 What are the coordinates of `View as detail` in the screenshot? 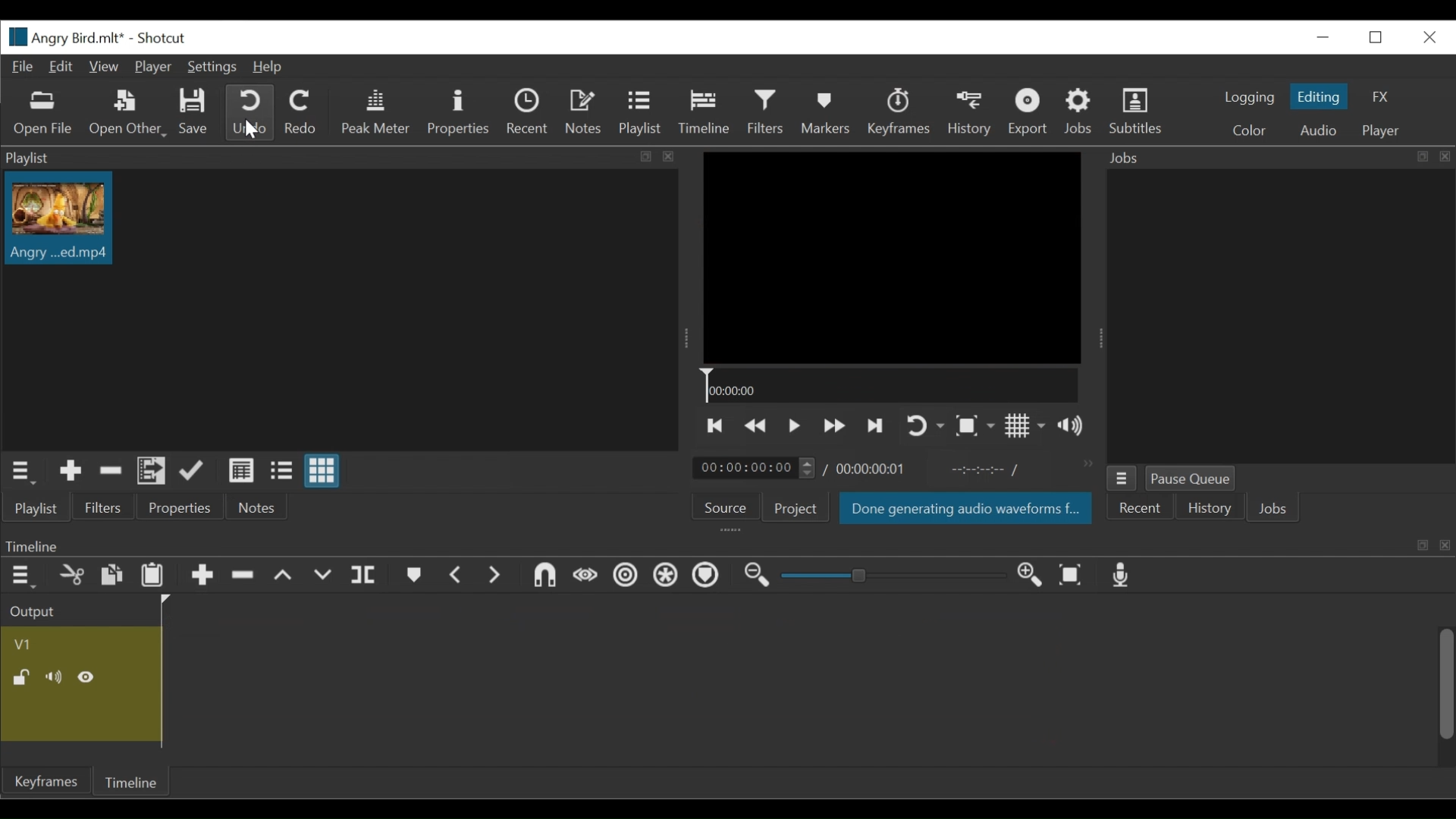 It's located at (242, 471).